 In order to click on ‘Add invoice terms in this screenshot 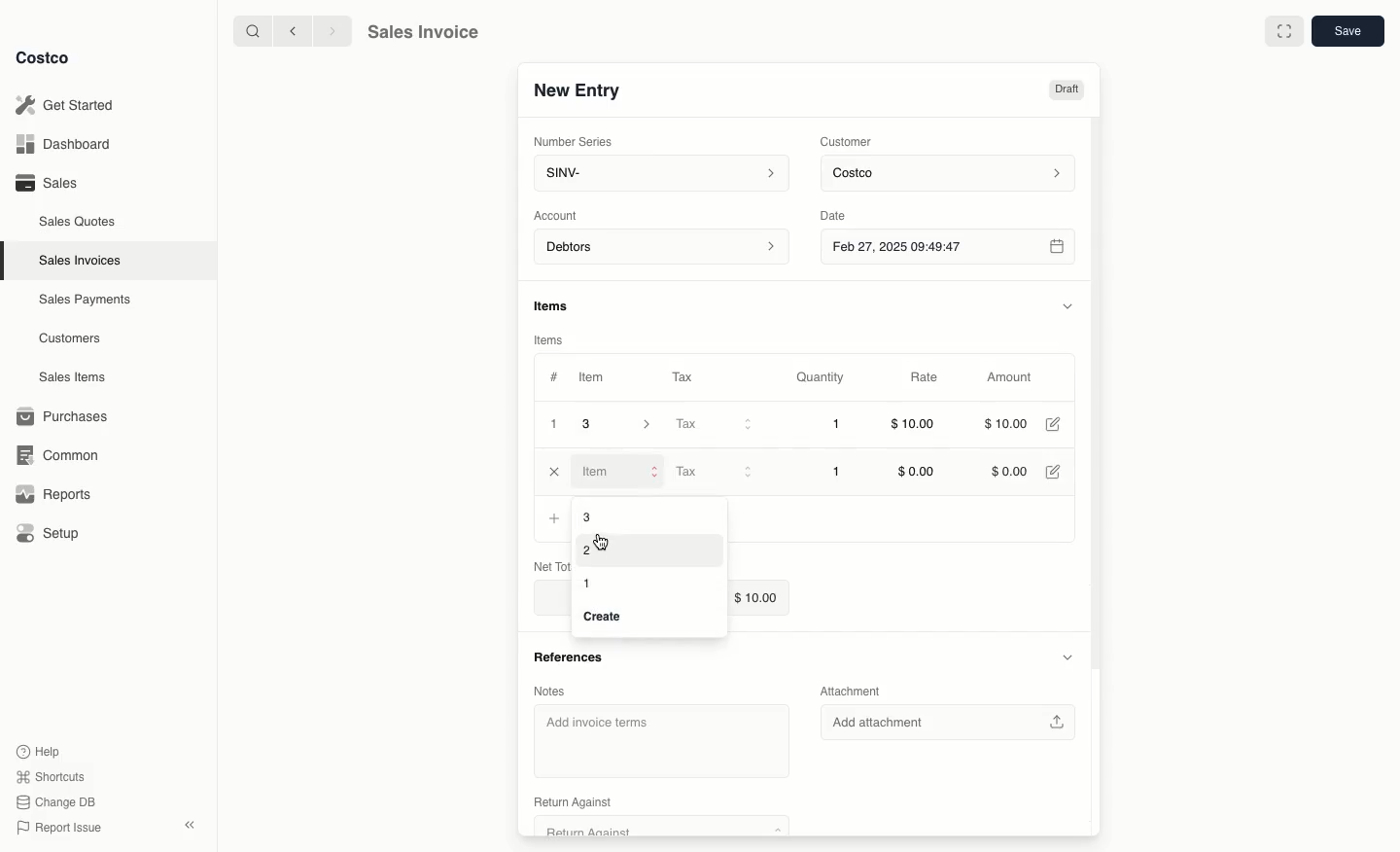, I will do `click(654, 736)`.